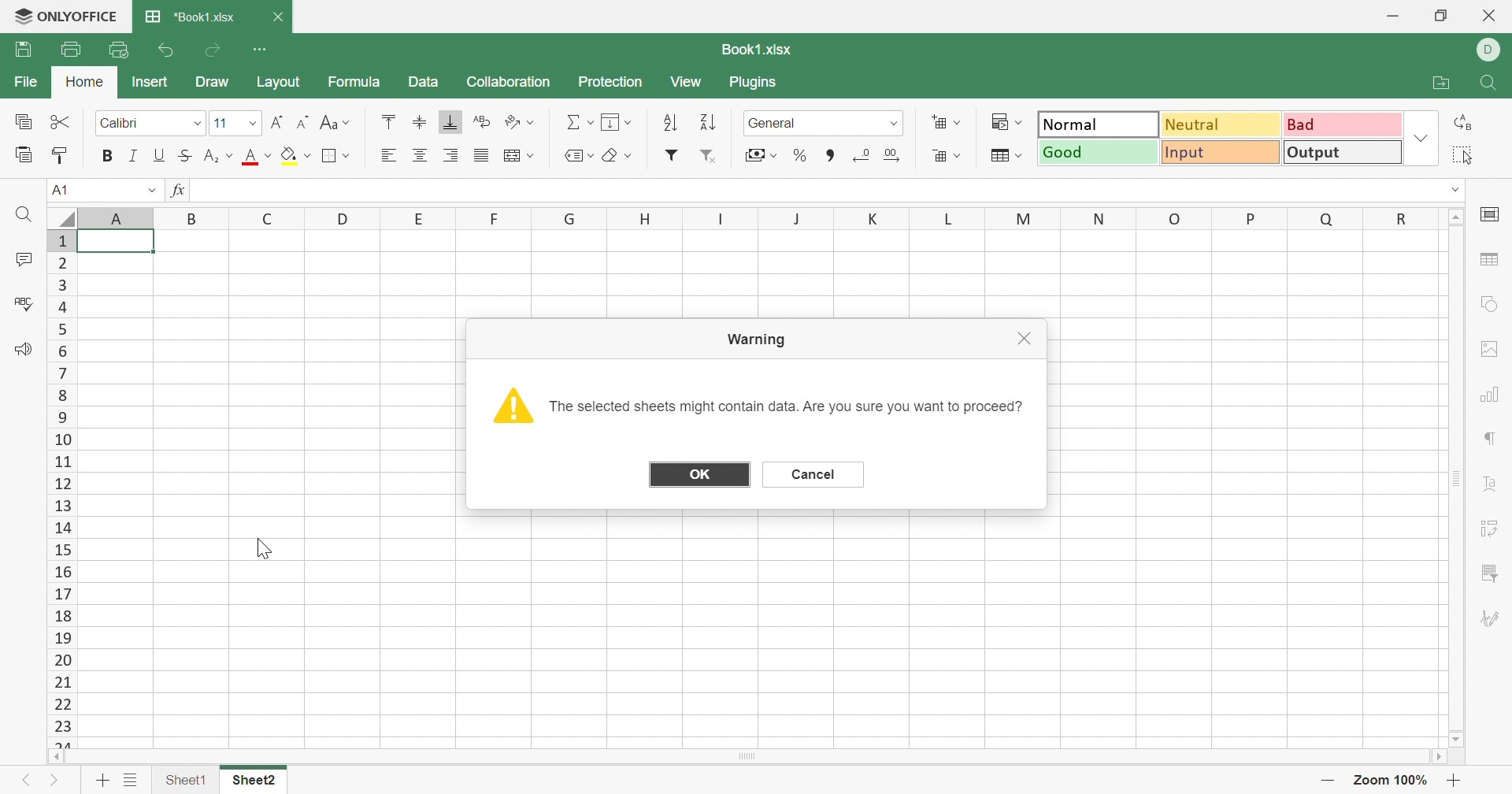  I want to click on Row Number, so click(62, 489).